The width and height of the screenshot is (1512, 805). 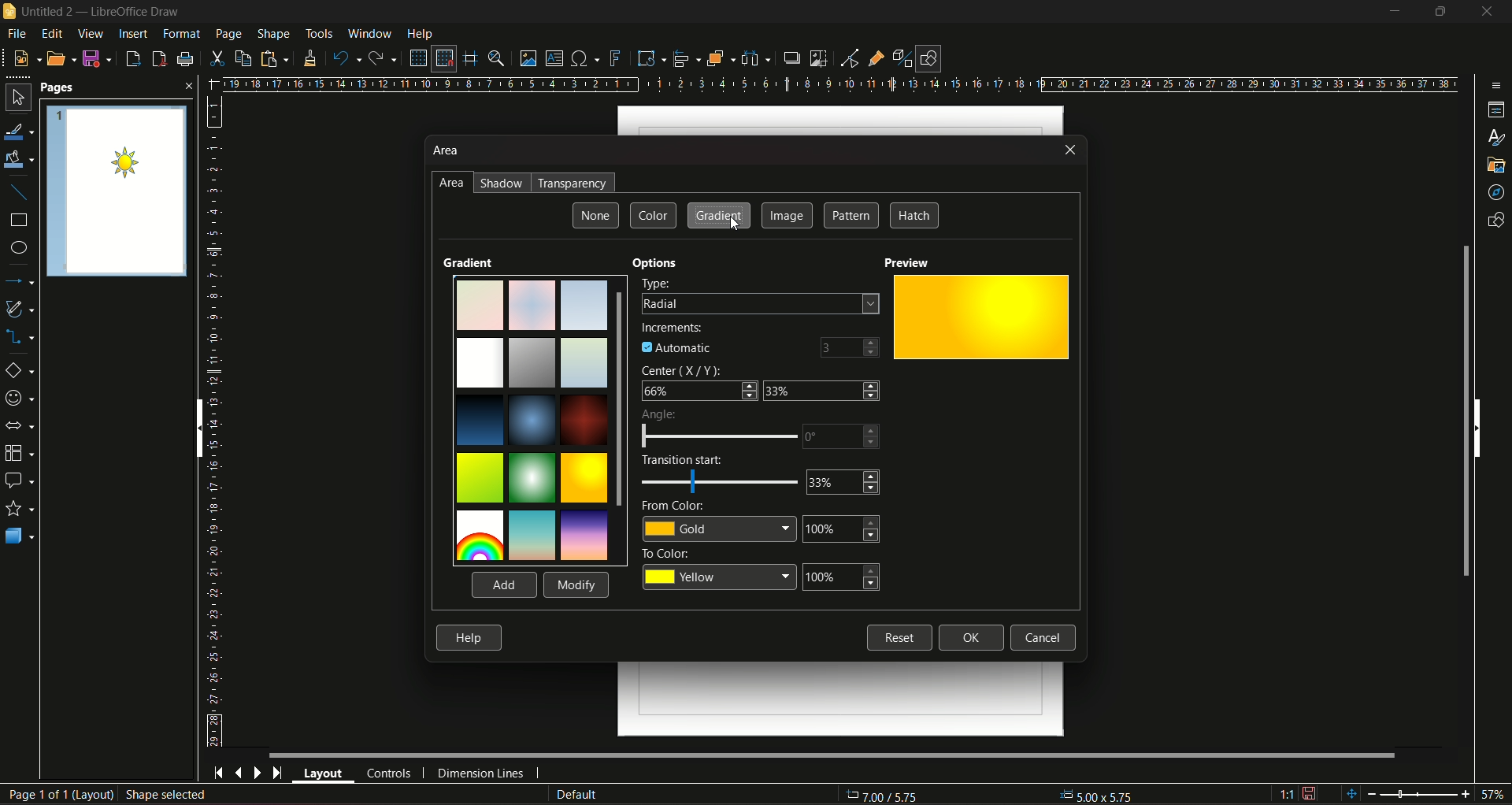 What do you see at coordinates (656, 262) in the screenshot?
I see `options` at bounding box center [656, 262].